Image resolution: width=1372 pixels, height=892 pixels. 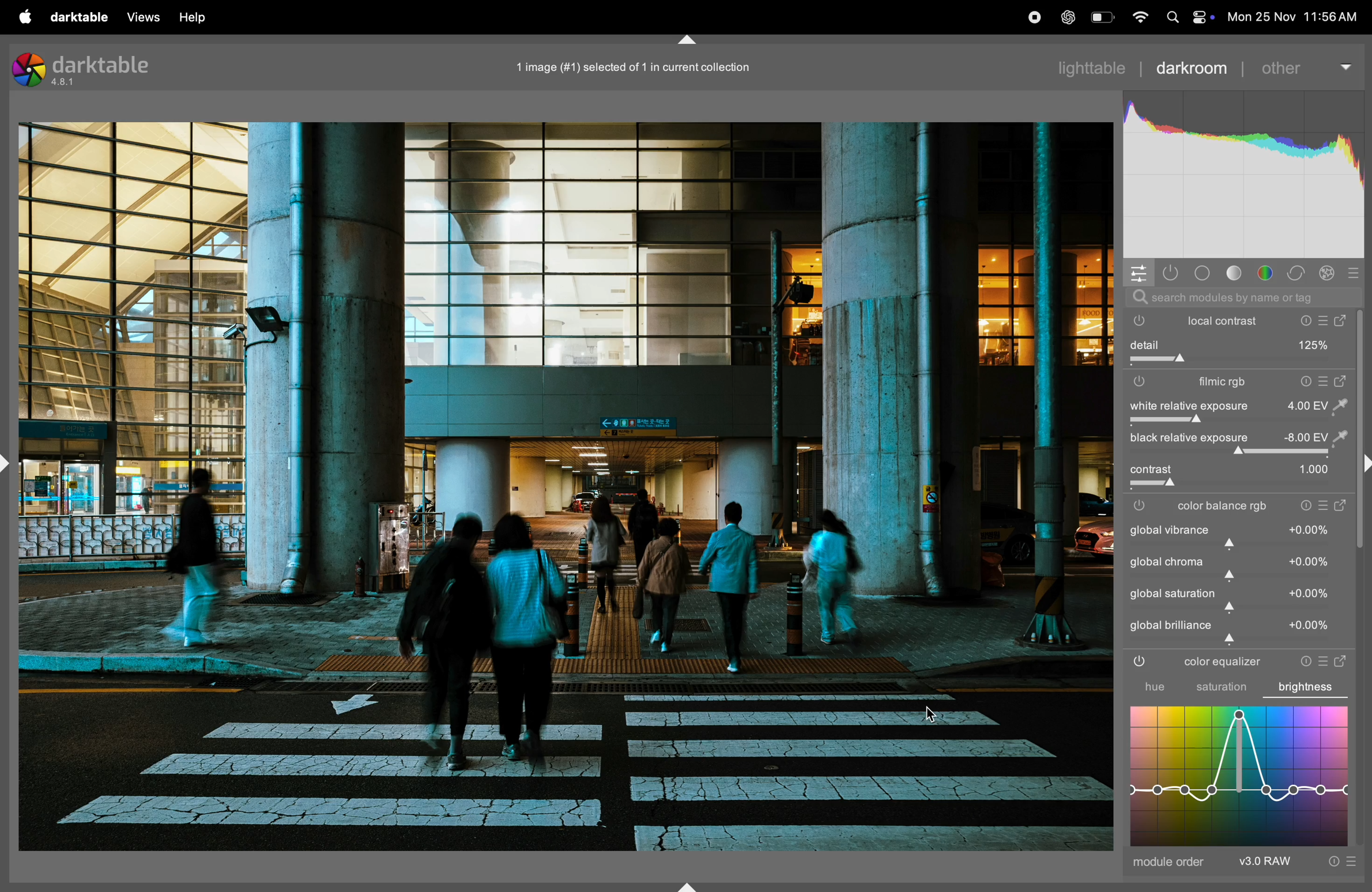 I want to click on Collapse or expand , so click(x=9, y=463).